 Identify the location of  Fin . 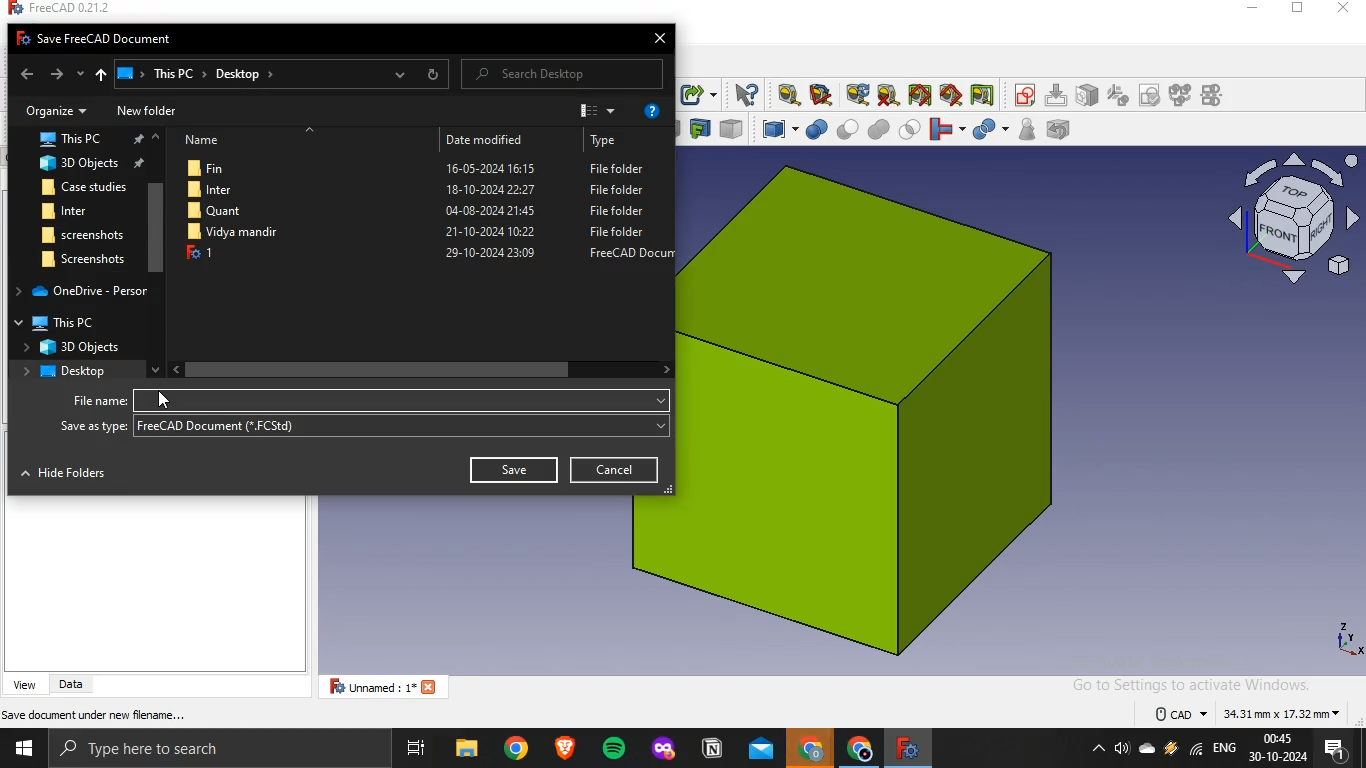
(418, 167).